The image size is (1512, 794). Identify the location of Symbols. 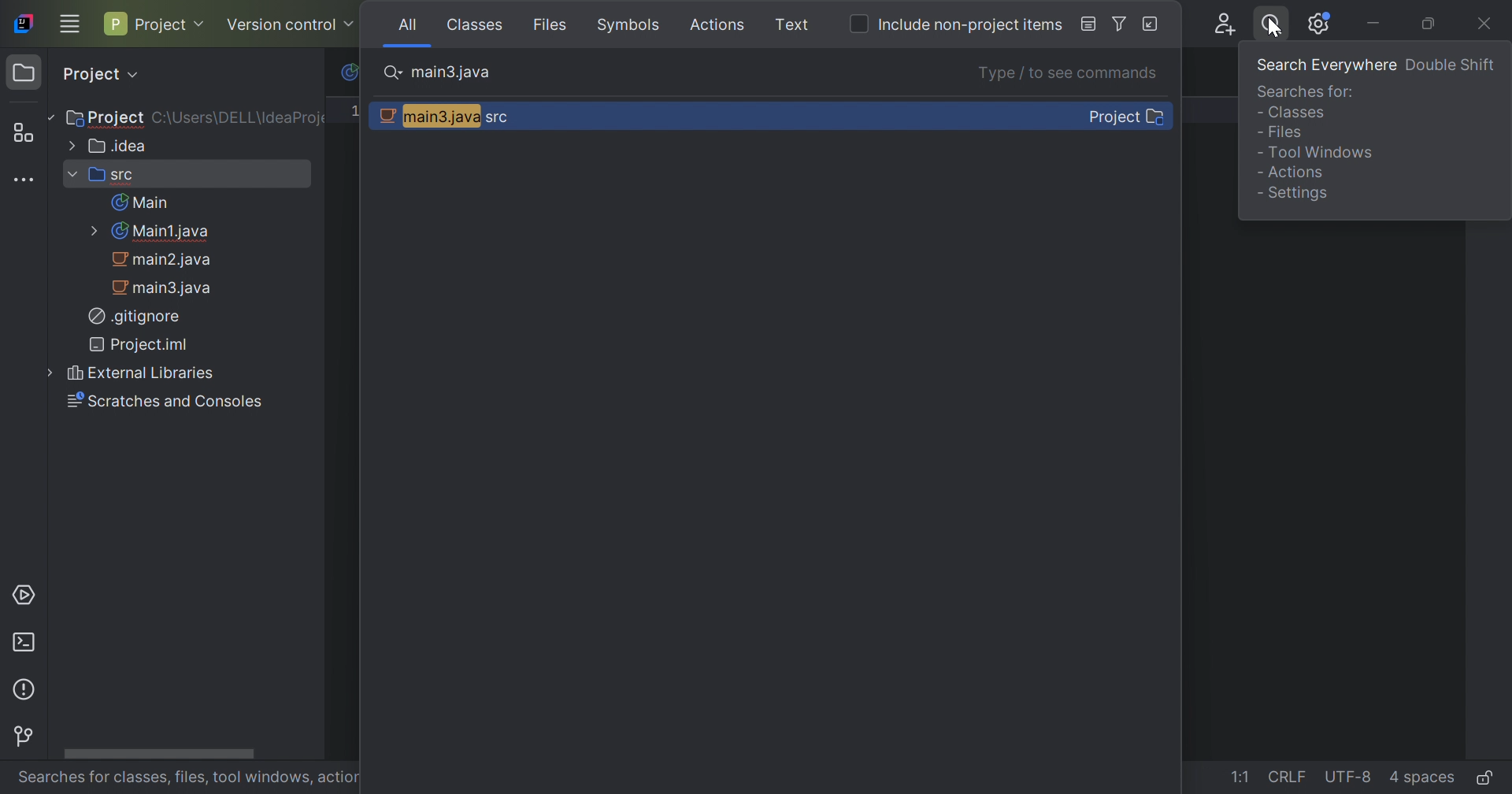
(631, 25).